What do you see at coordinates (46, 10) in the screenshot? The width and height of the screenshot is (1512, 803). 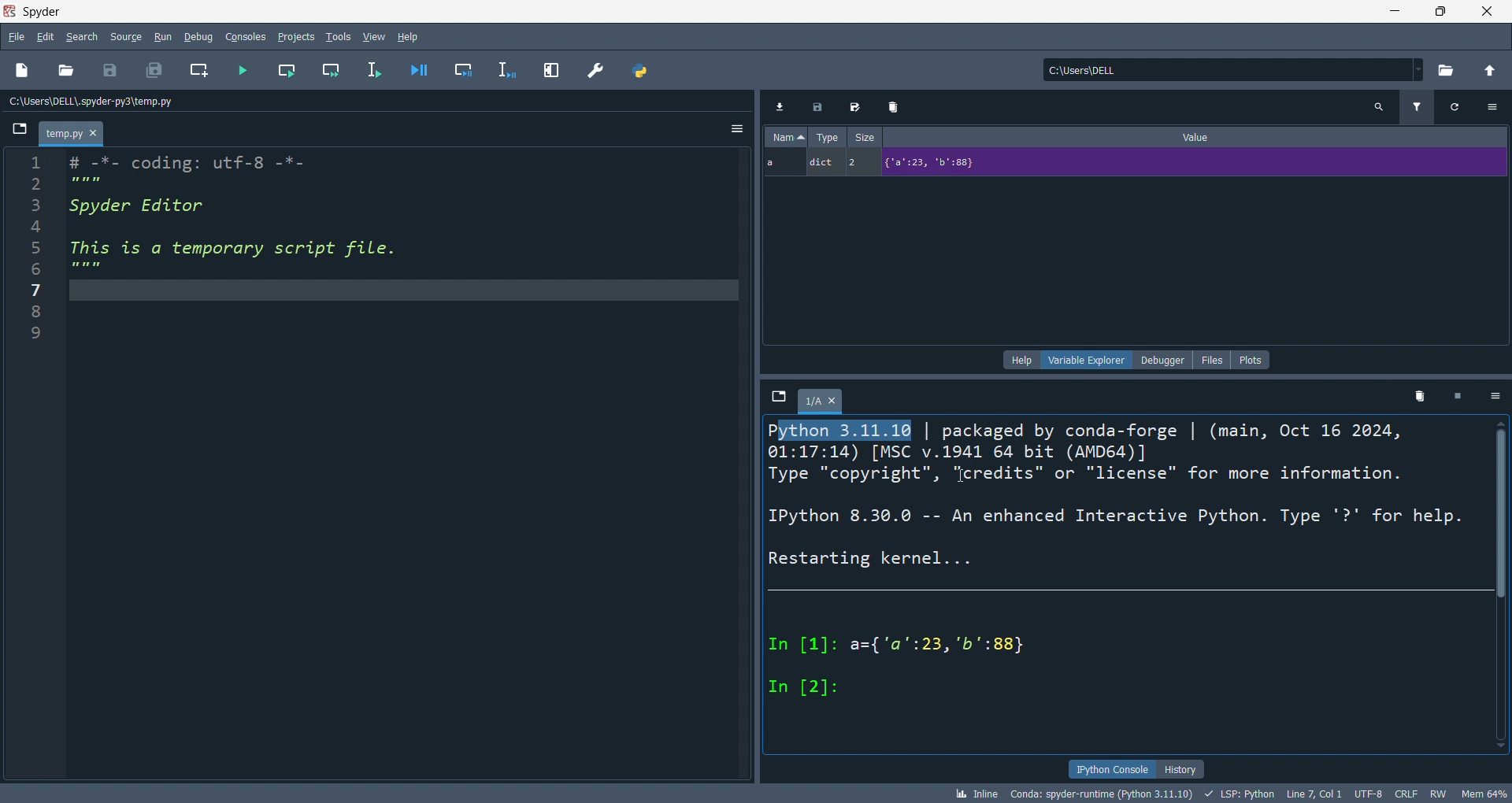 I see `spyder` at bounding box center [46, 10].